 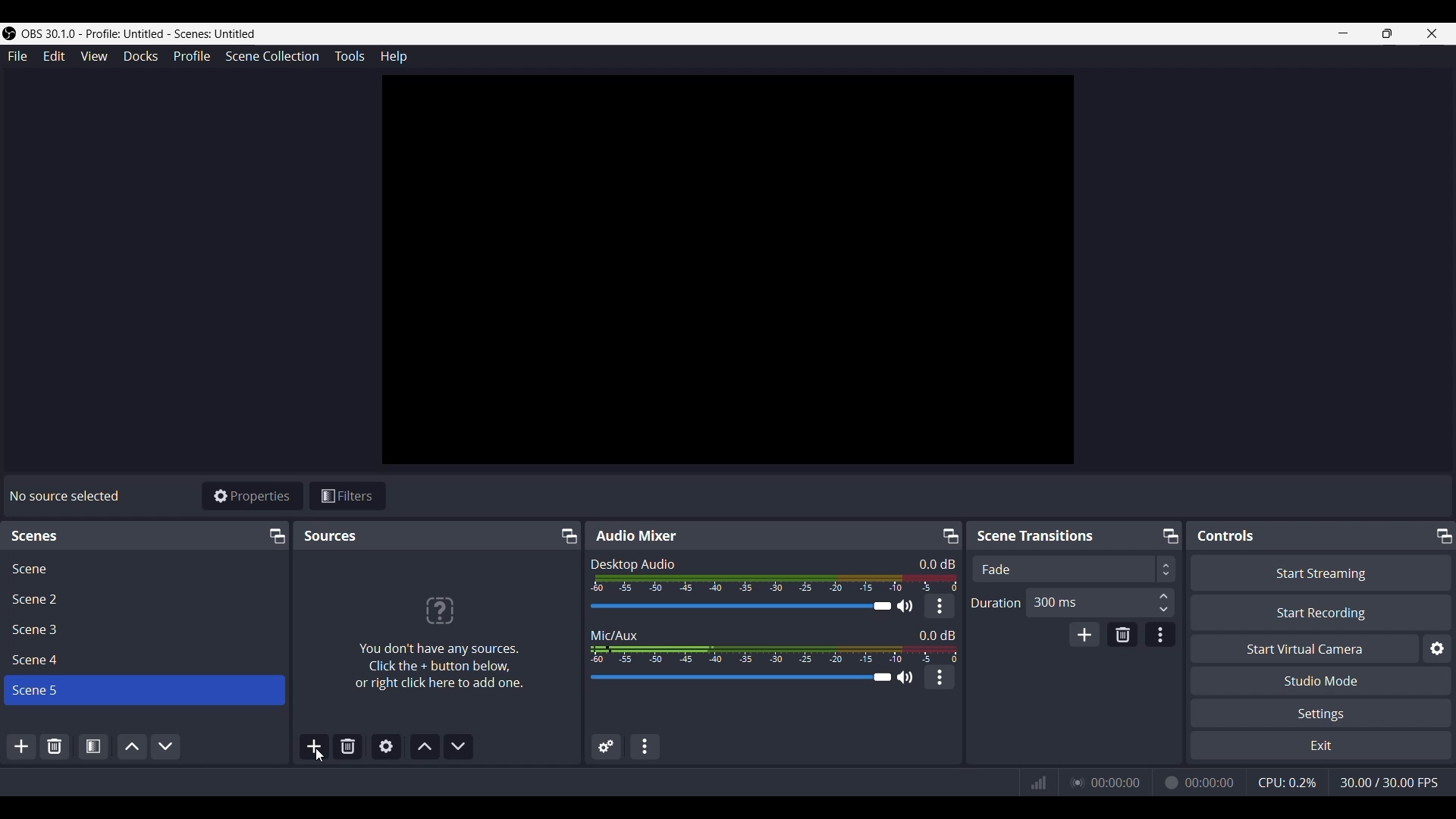 I want to click on Properties, so click(x=253, y=495).